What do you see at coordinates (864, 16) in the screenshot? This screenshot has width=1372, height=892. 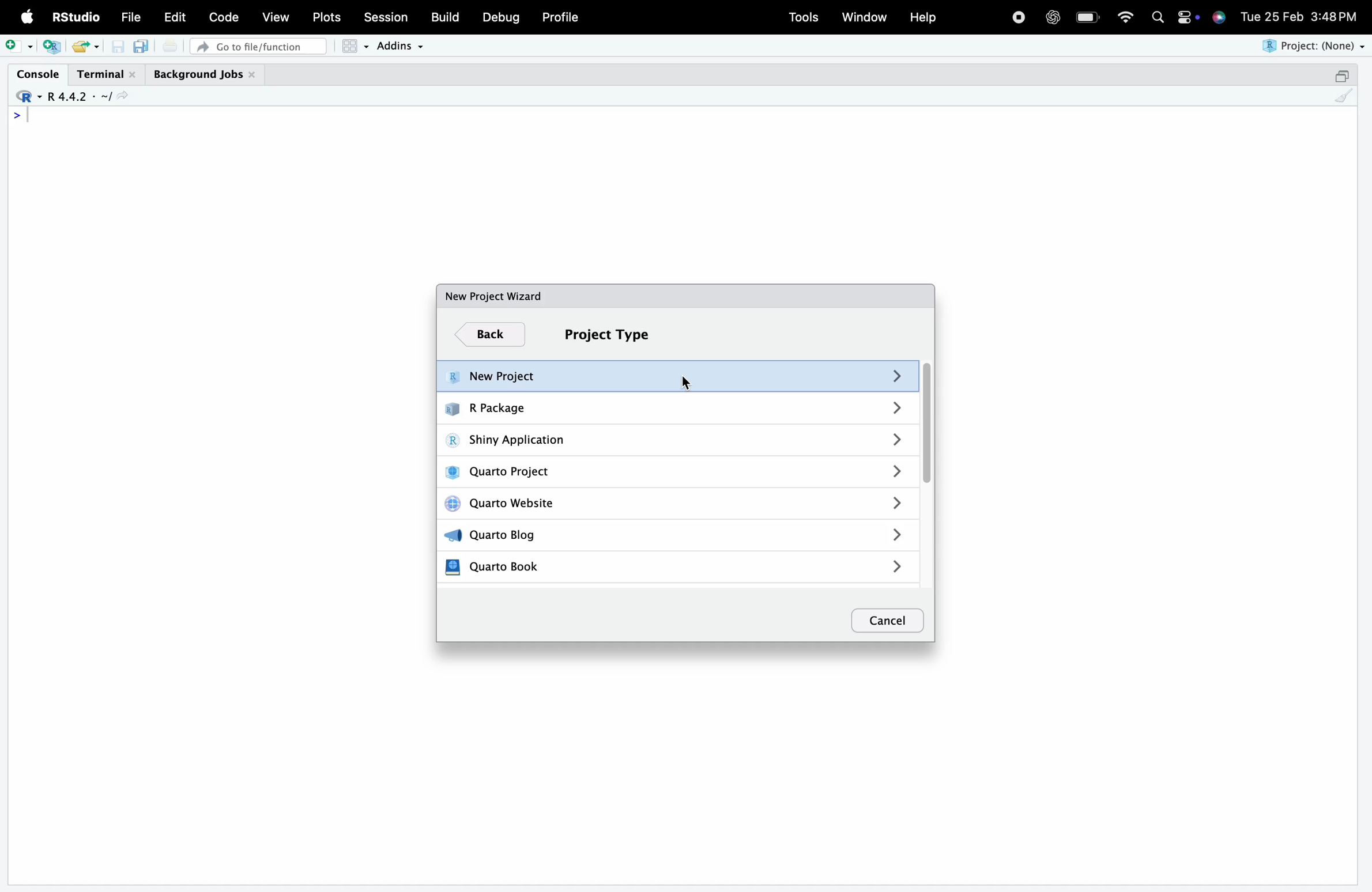 I see `Window` at bounding box center [864, 16].